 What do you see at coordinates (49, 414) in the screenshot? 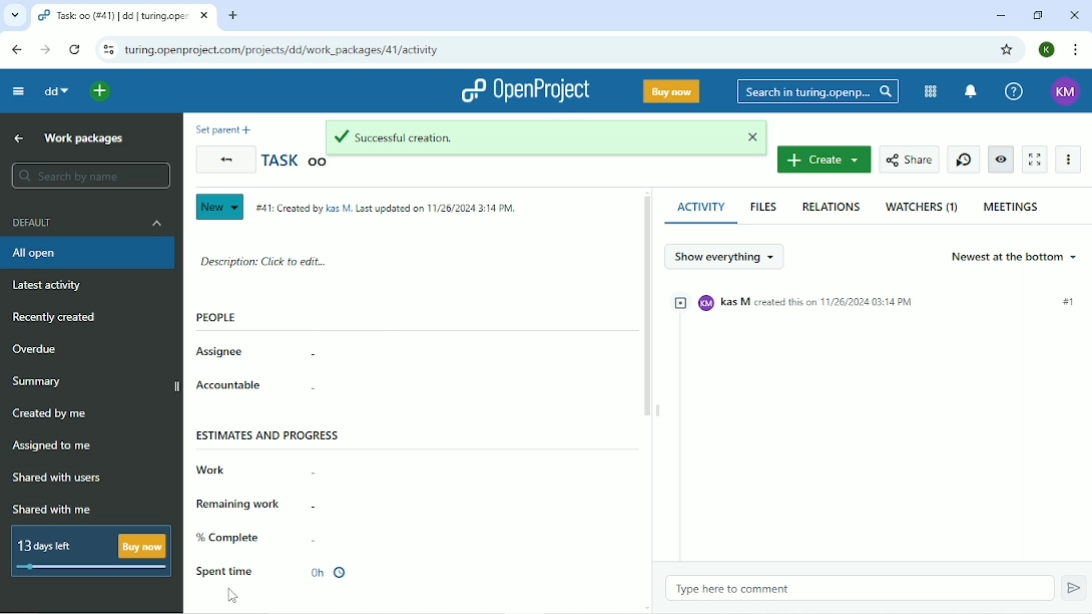
I see `Created by me` at bounding box center [49, 414].